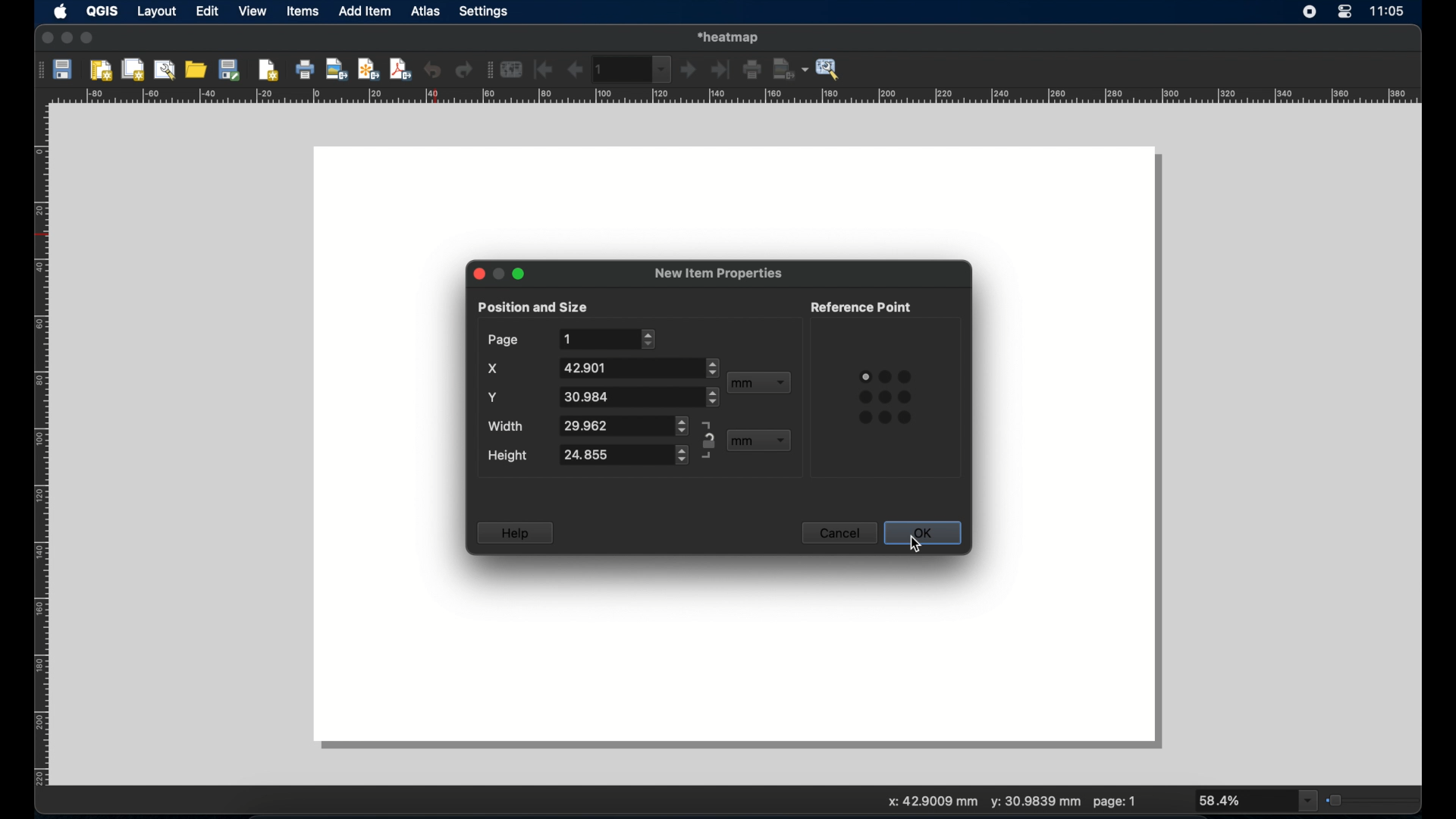 Image resolution: width=1456 pixels, height=819 pixels. I want to click on ok, so click(924, 533).